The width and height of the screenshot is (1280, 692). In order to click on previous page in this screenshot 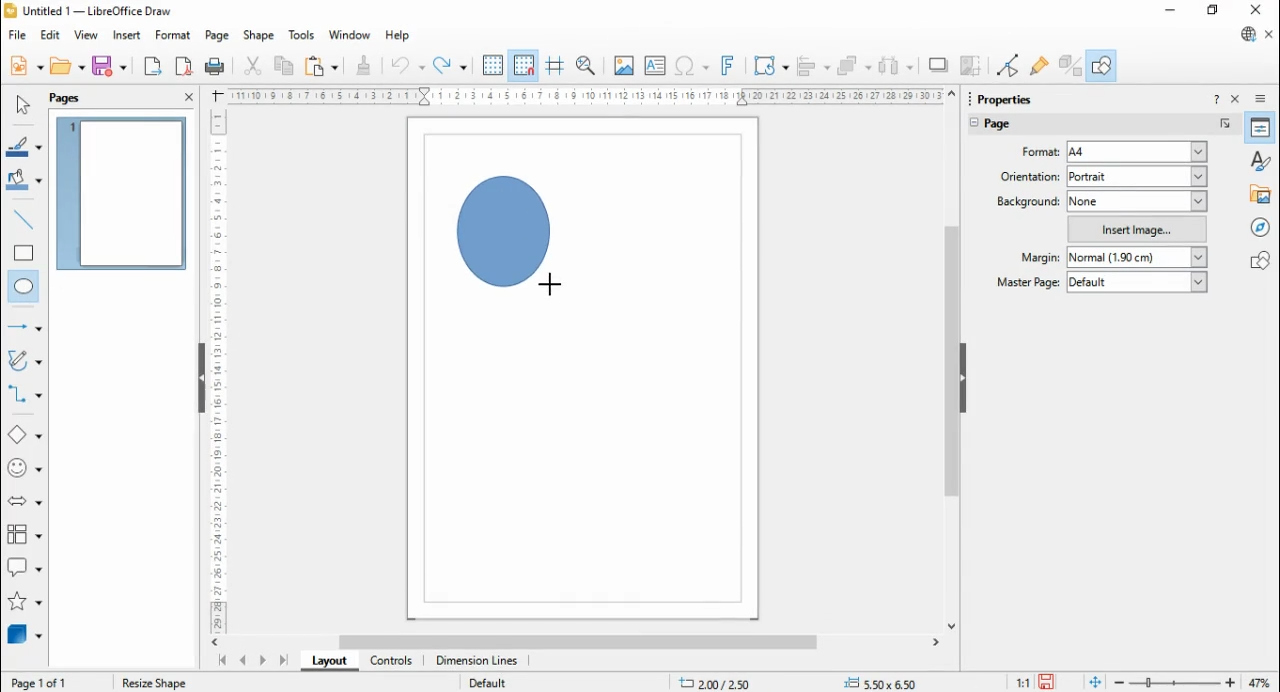, I will do `click(244, 661)`.